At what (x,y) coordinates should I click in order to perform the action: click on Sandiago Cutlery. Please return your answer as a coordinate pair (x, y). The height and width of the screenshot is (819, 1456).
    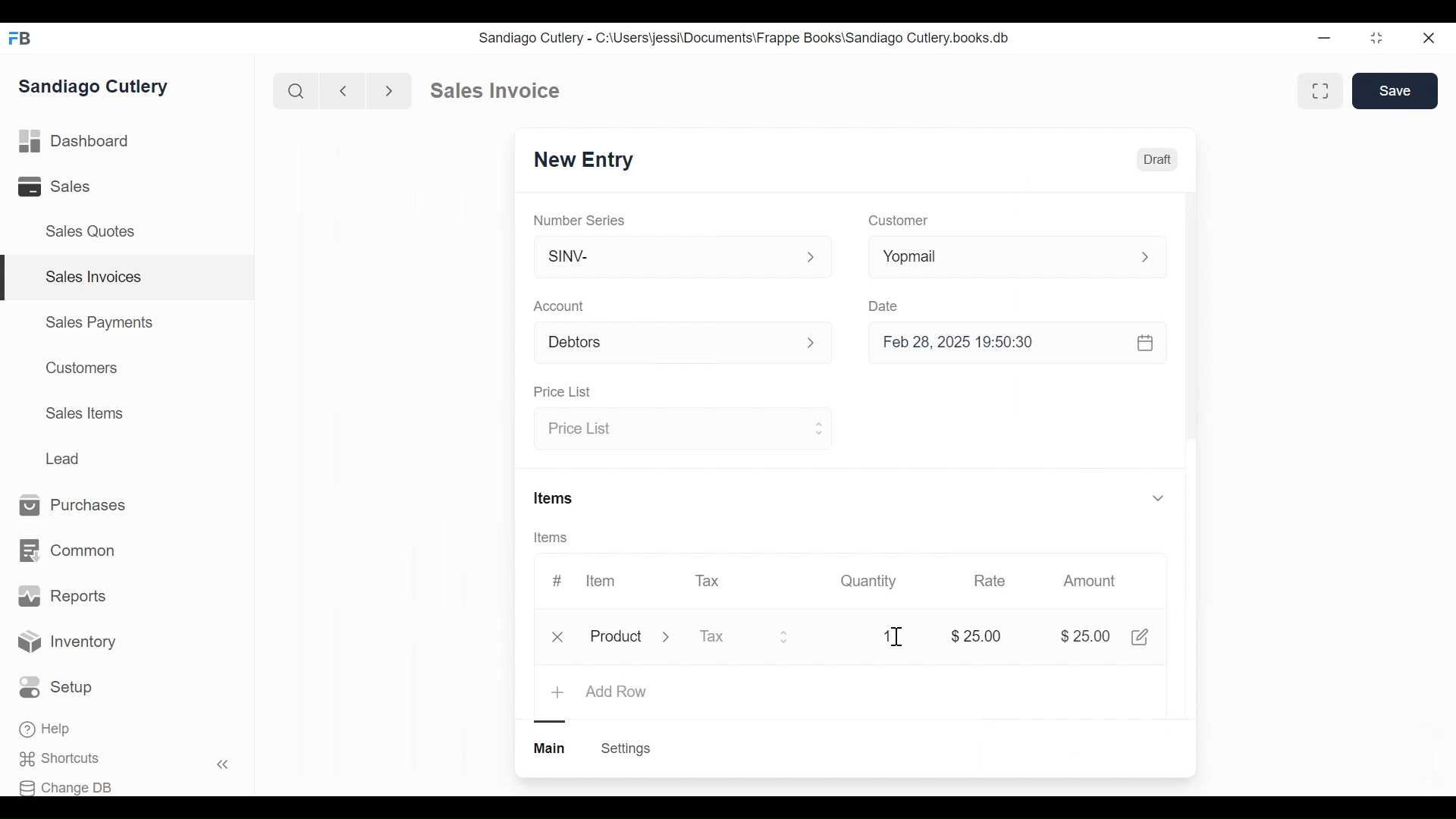
    Looking at the image, I should click on (98, 86).